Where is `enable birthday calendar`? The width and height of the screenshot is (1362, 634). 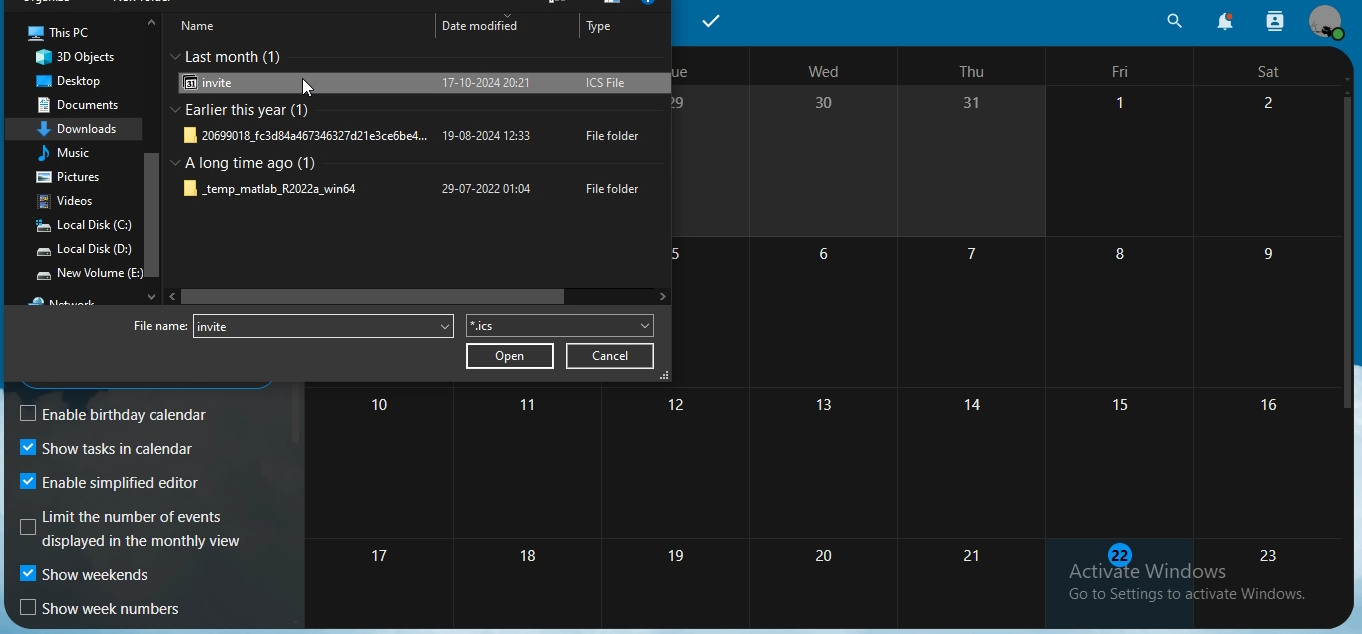
enable birthday calendar is located at coordinates (130, 414).